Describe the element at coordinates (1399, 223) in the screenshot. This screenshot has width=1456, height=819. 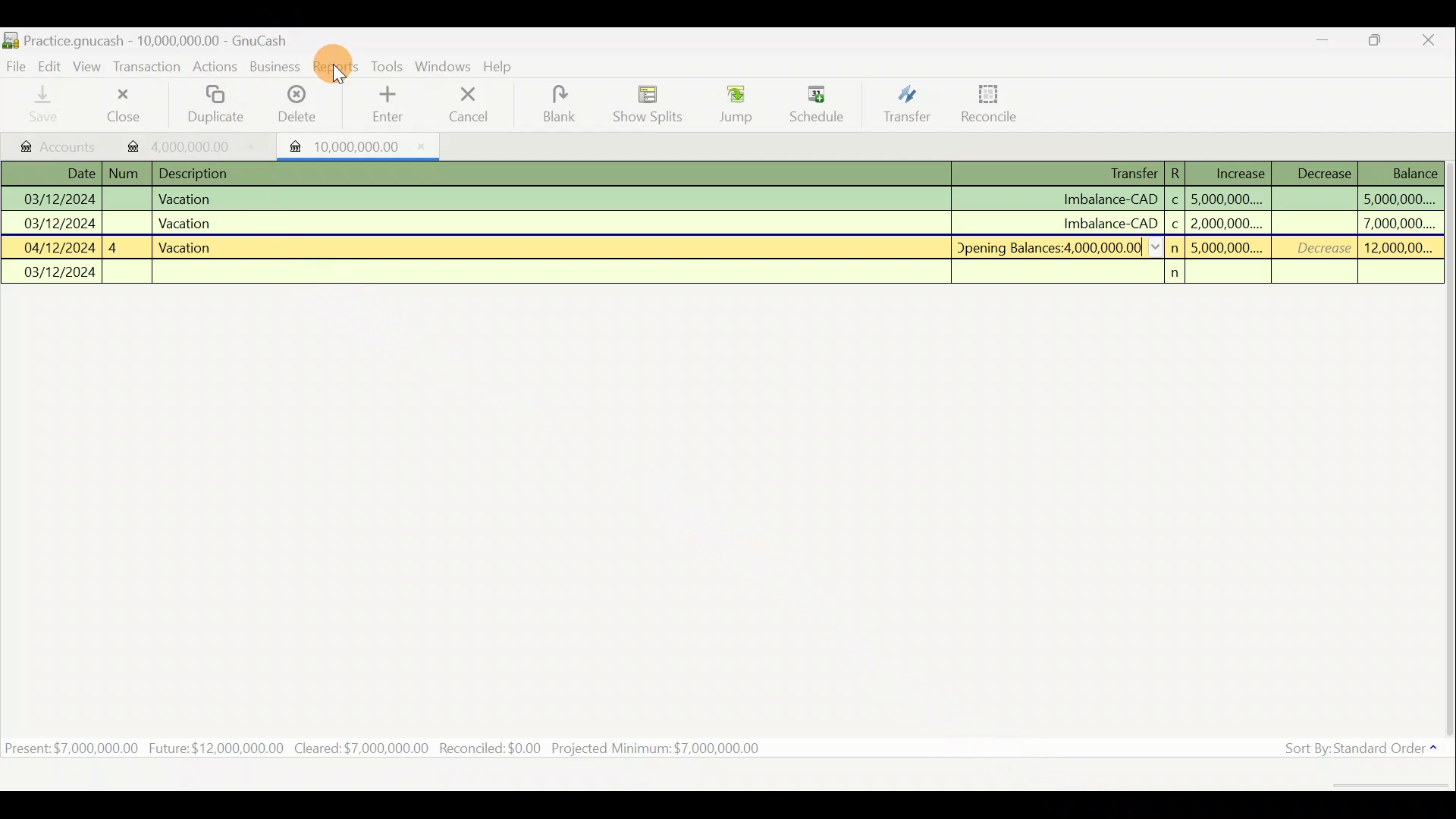
I see `7,000,000....` at that location.